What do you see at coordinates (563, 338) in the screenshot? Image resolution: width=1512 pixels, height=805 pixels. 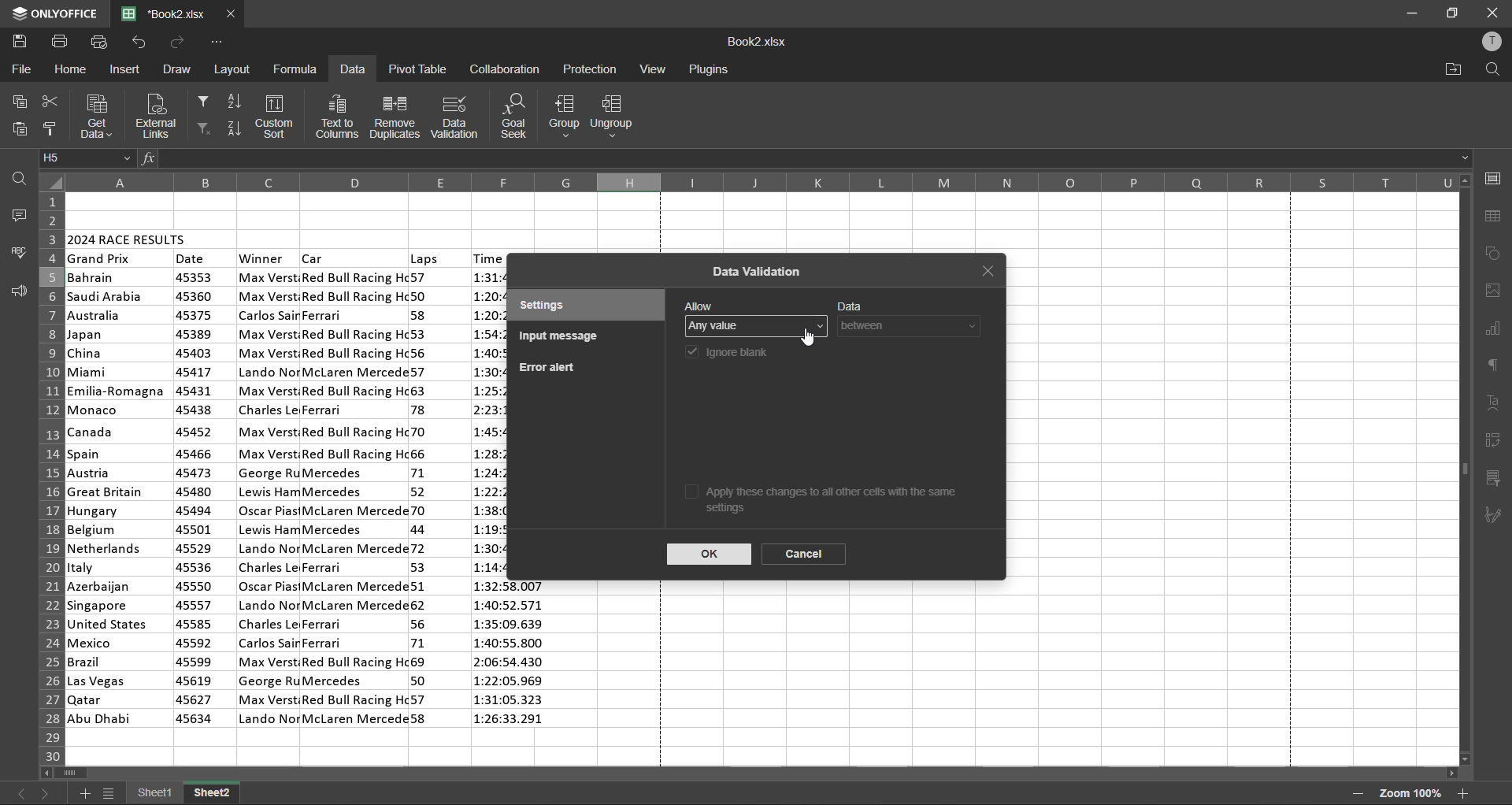 I see `input message` at bounding box center [563, 338].